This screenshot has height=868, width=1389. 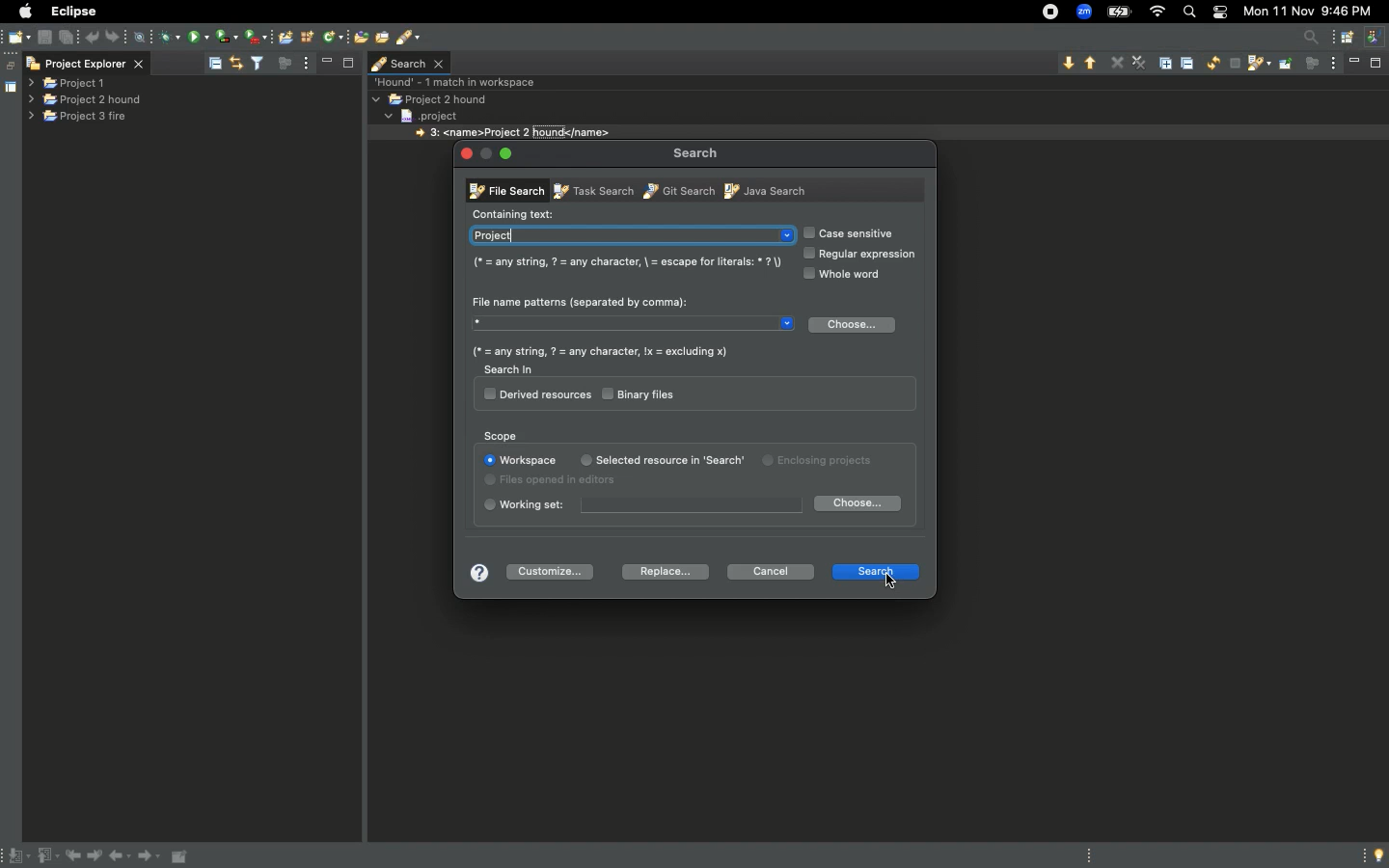 I want to click on restore, so click(x=9, y=60).